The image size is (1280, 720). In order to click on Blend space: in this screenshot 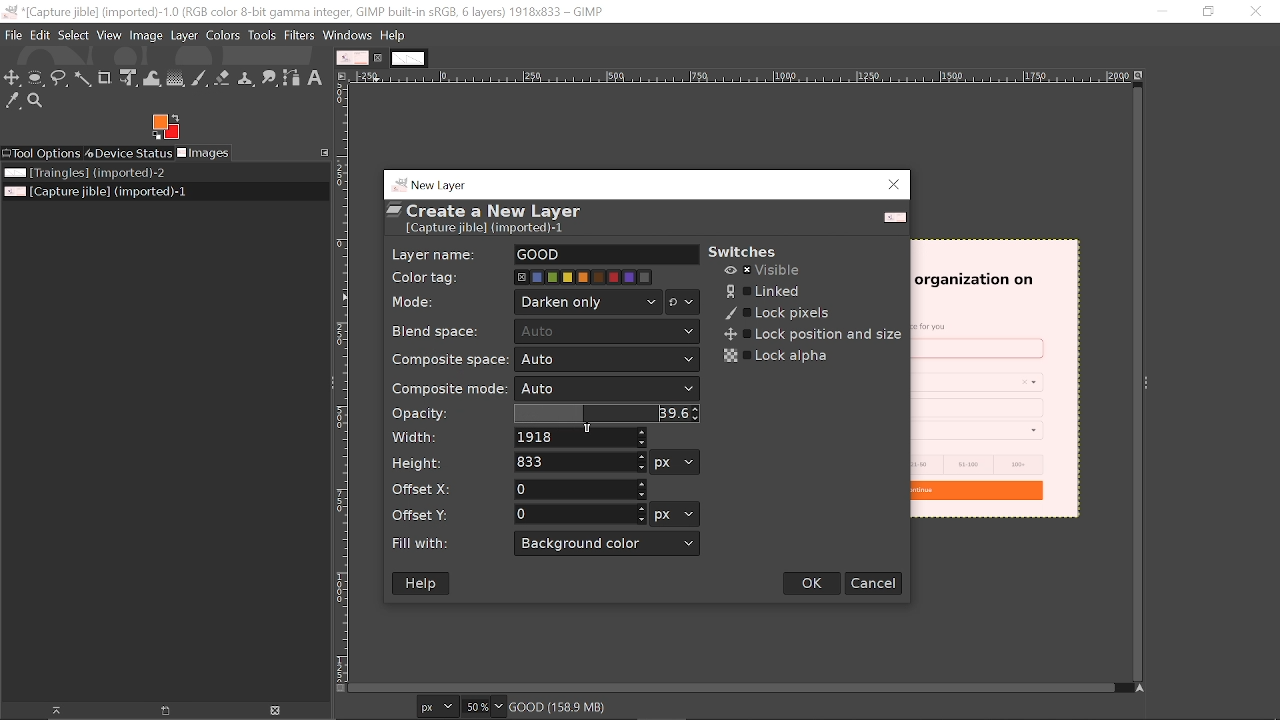, I will do `click(440, 330)`.